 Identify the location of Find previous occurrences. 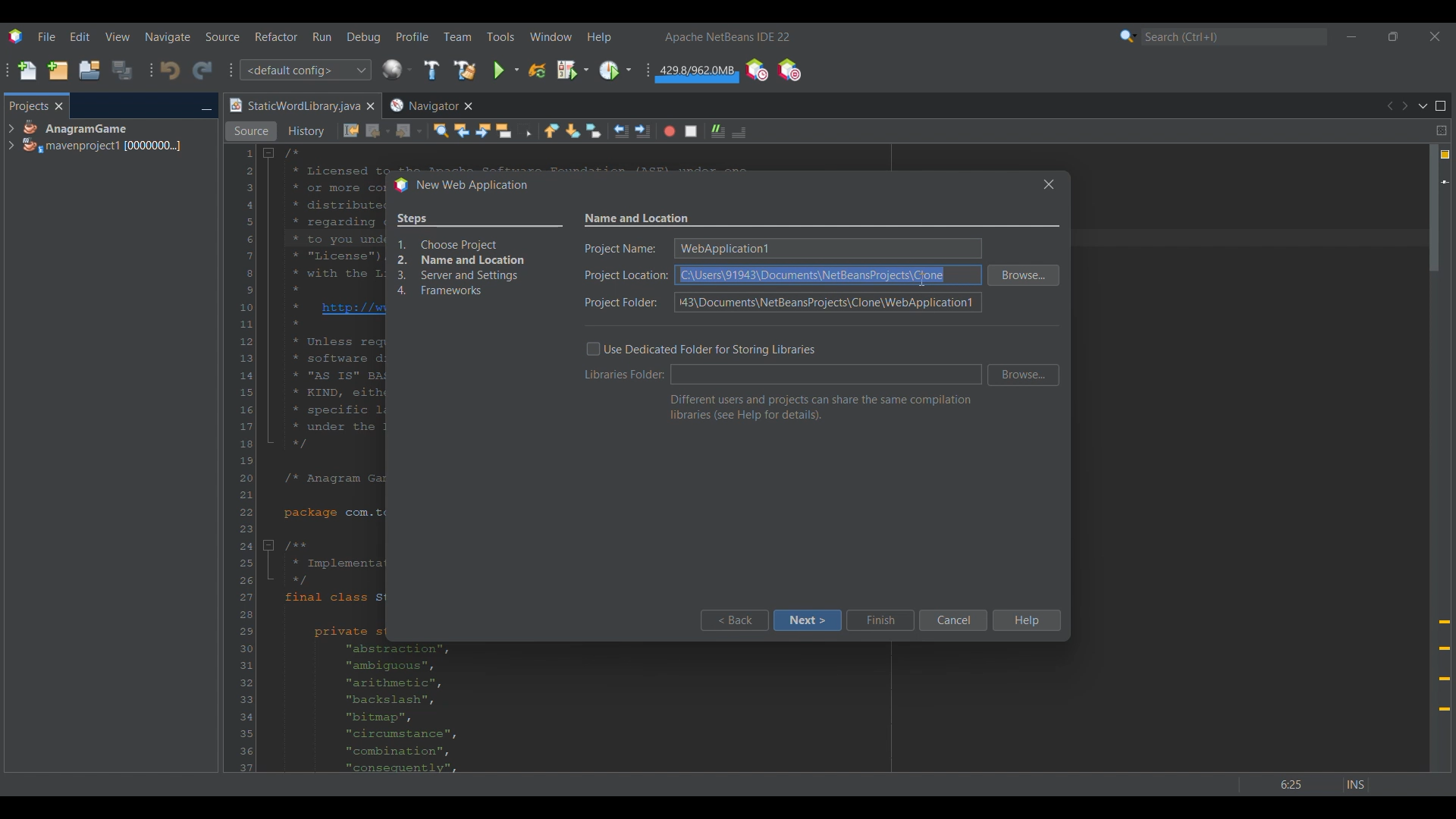
(462, 130).